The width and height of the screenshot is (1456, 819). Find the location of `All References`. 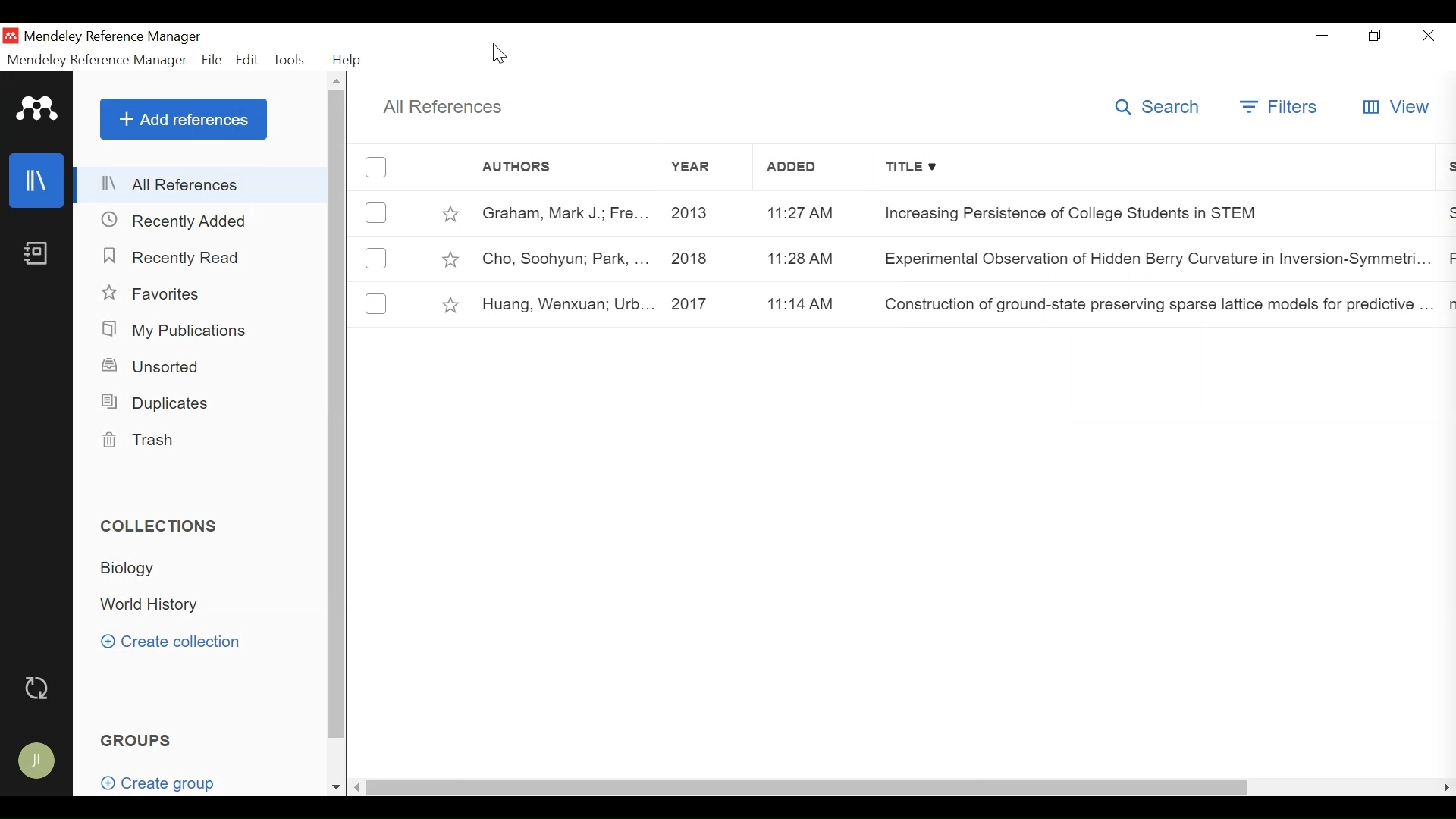

All References is located at coordinates (202, 183).